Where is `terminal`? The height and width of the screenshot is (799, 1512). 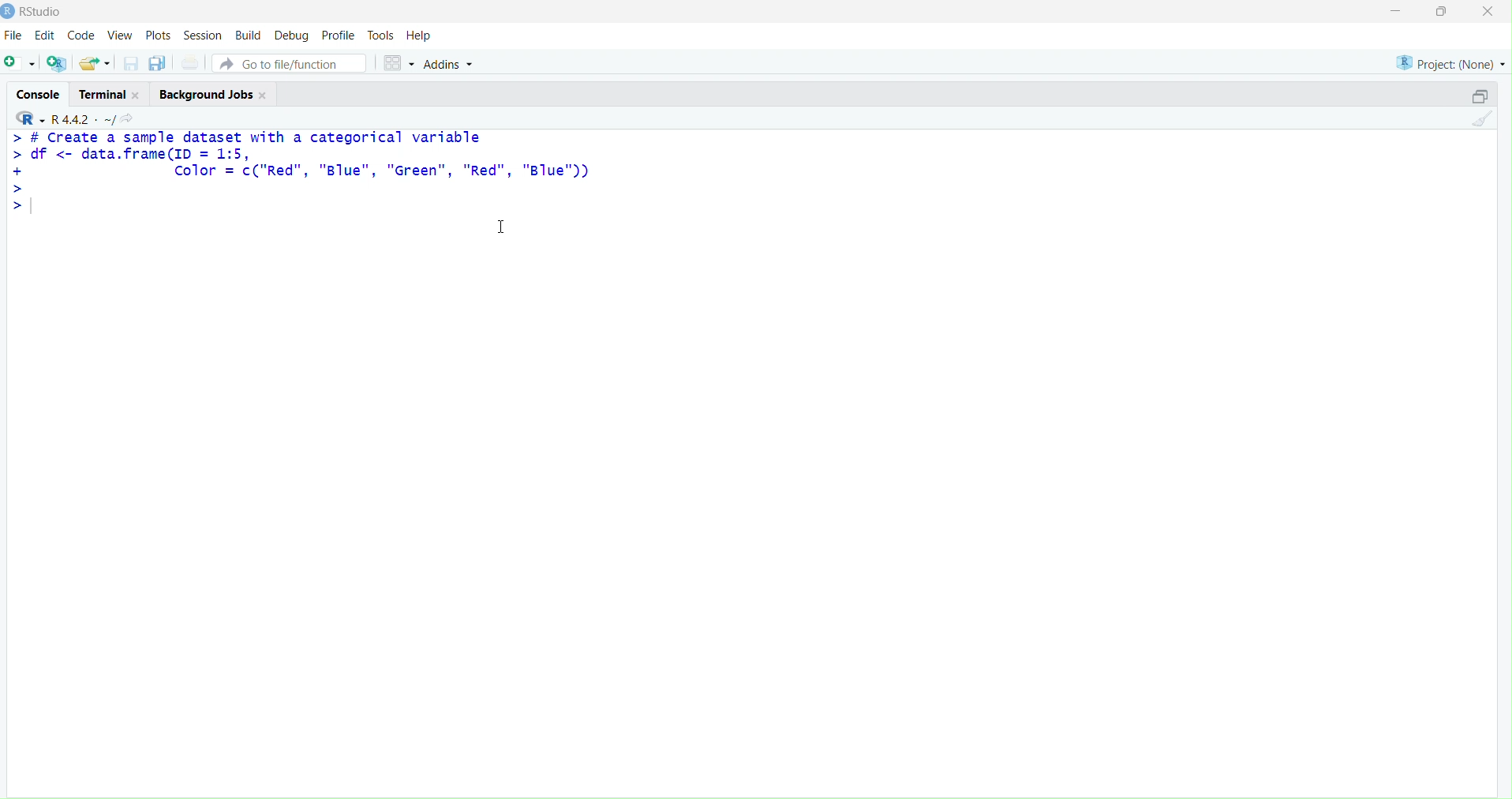
terminal is located at coordinates (102, 96).